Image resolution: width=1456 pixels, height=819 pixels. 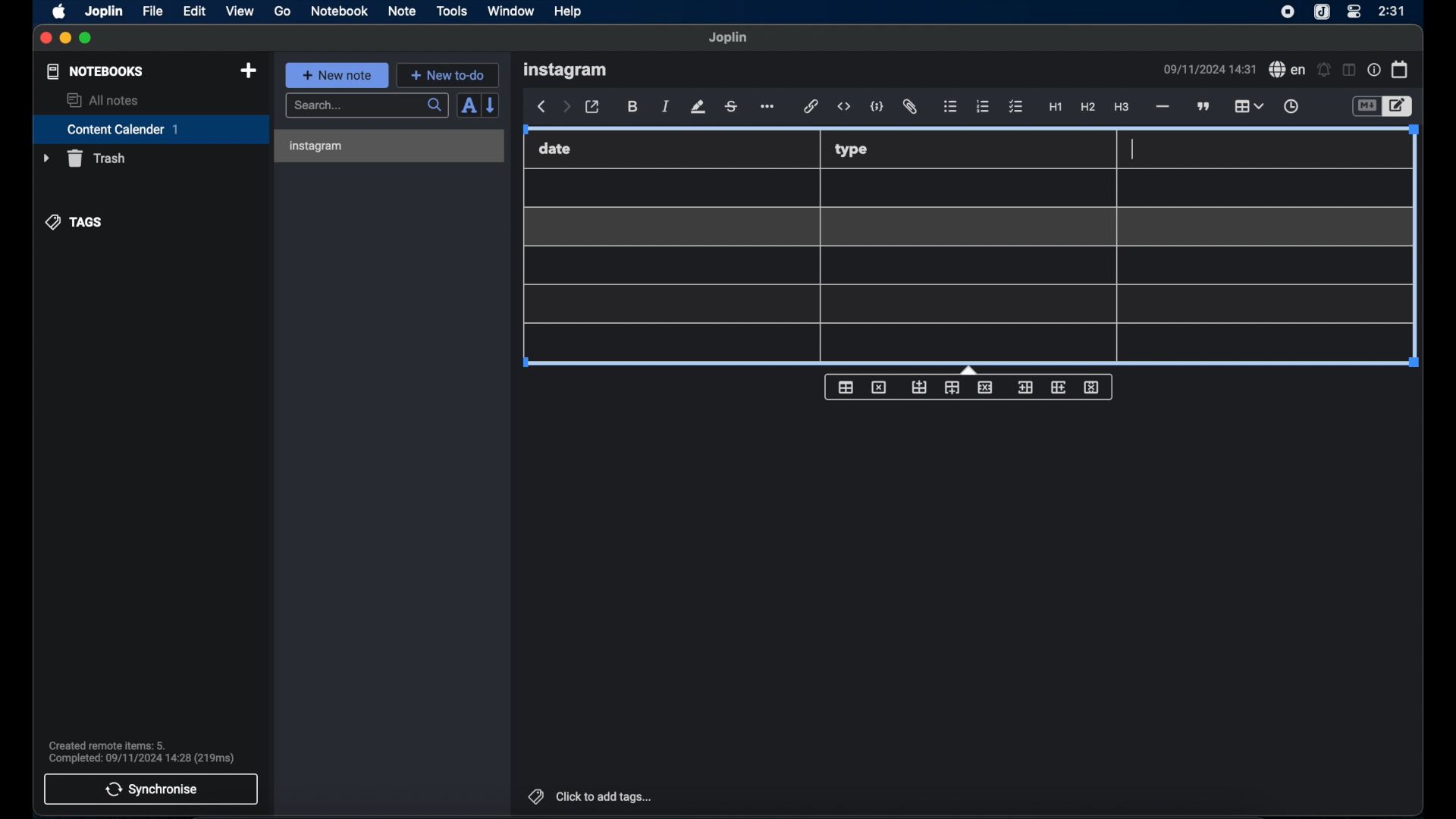 What do you see at coordinates (1349, 71) in the screenshot?
I see `toggle editor layout` at bounding box center [1349, 71].